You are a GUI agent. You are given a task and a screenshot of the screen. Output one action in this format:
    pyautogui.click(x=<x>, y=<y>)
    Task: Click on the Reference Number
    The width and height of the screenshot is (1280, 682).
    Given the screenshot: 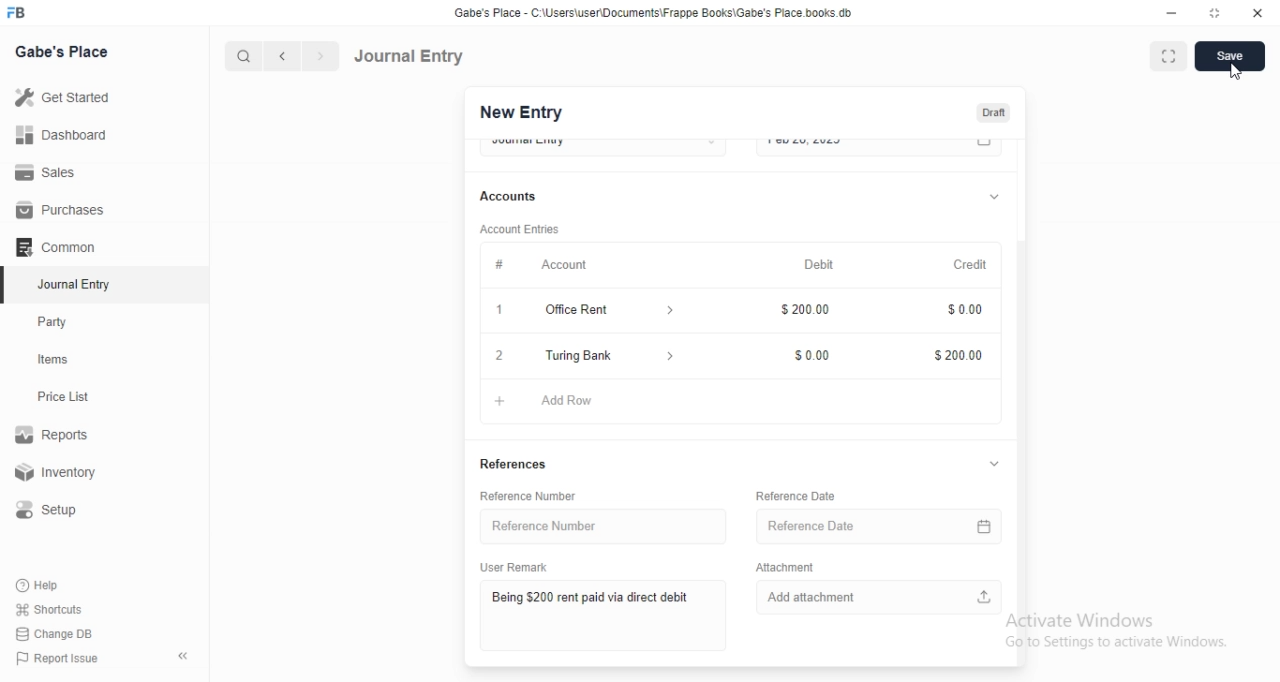 What is the action you would take?
    pyautogui.click(x=538, y=525)
    